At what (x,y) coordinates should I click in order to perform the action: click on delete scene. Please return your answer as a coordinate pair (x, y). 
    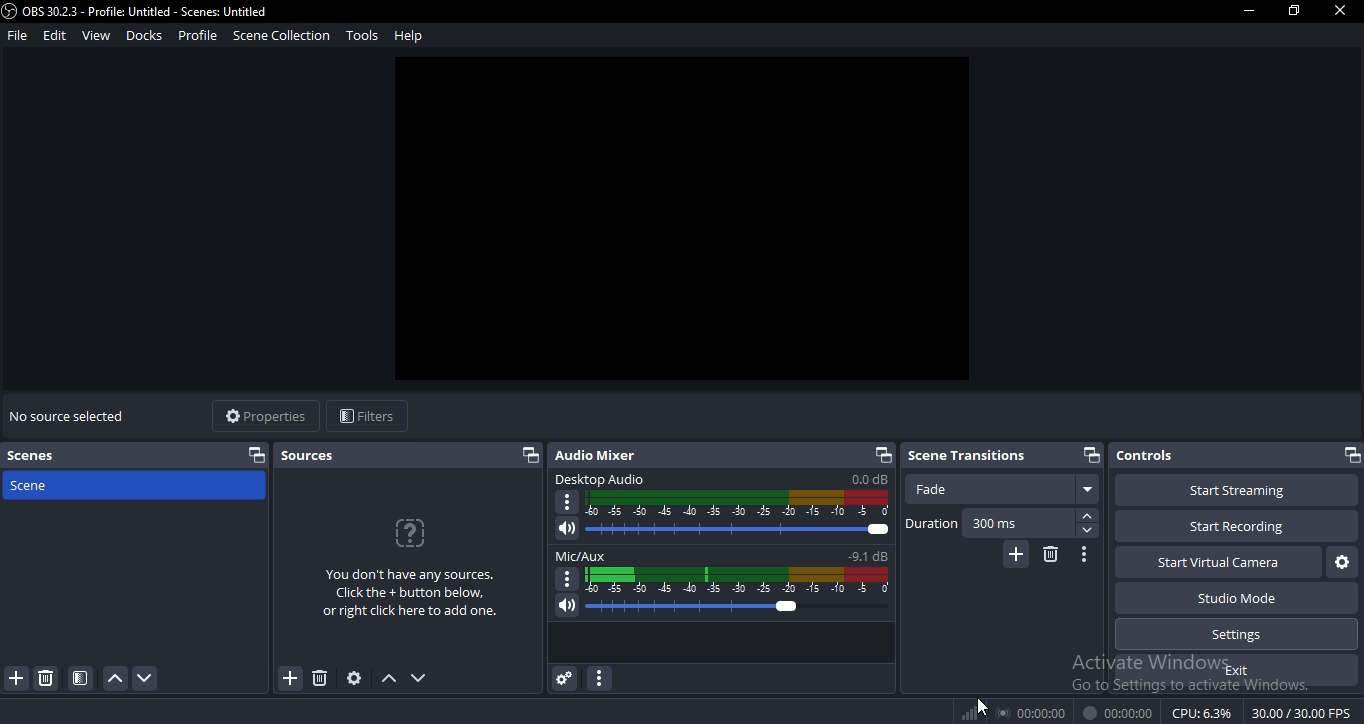
    Looking at the image, I should click on (47, 681).